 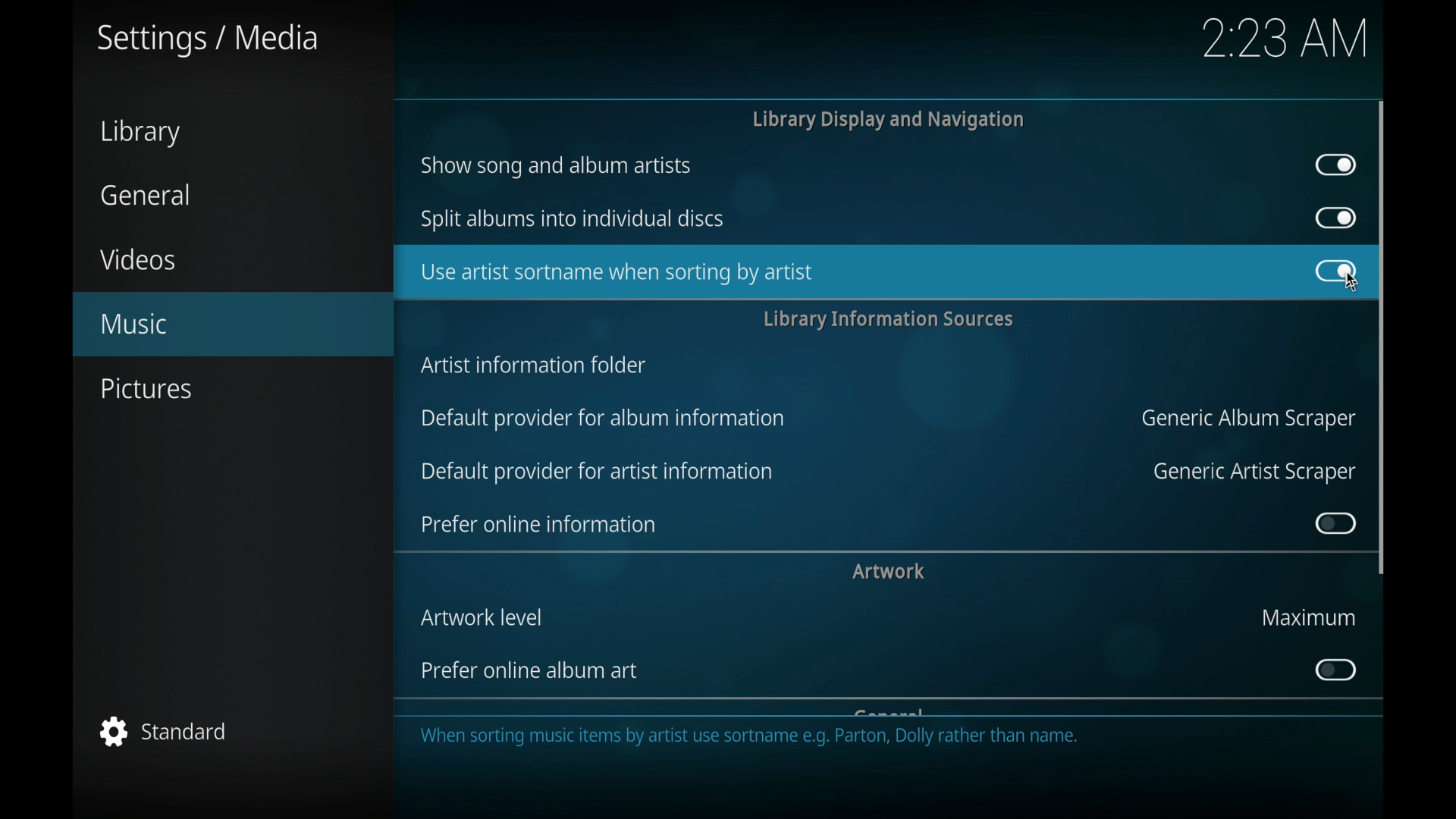 What do you see at coordinates (1334, 670) in the screenshot?
I see `toggle button` at bounding box center [1334, 670].